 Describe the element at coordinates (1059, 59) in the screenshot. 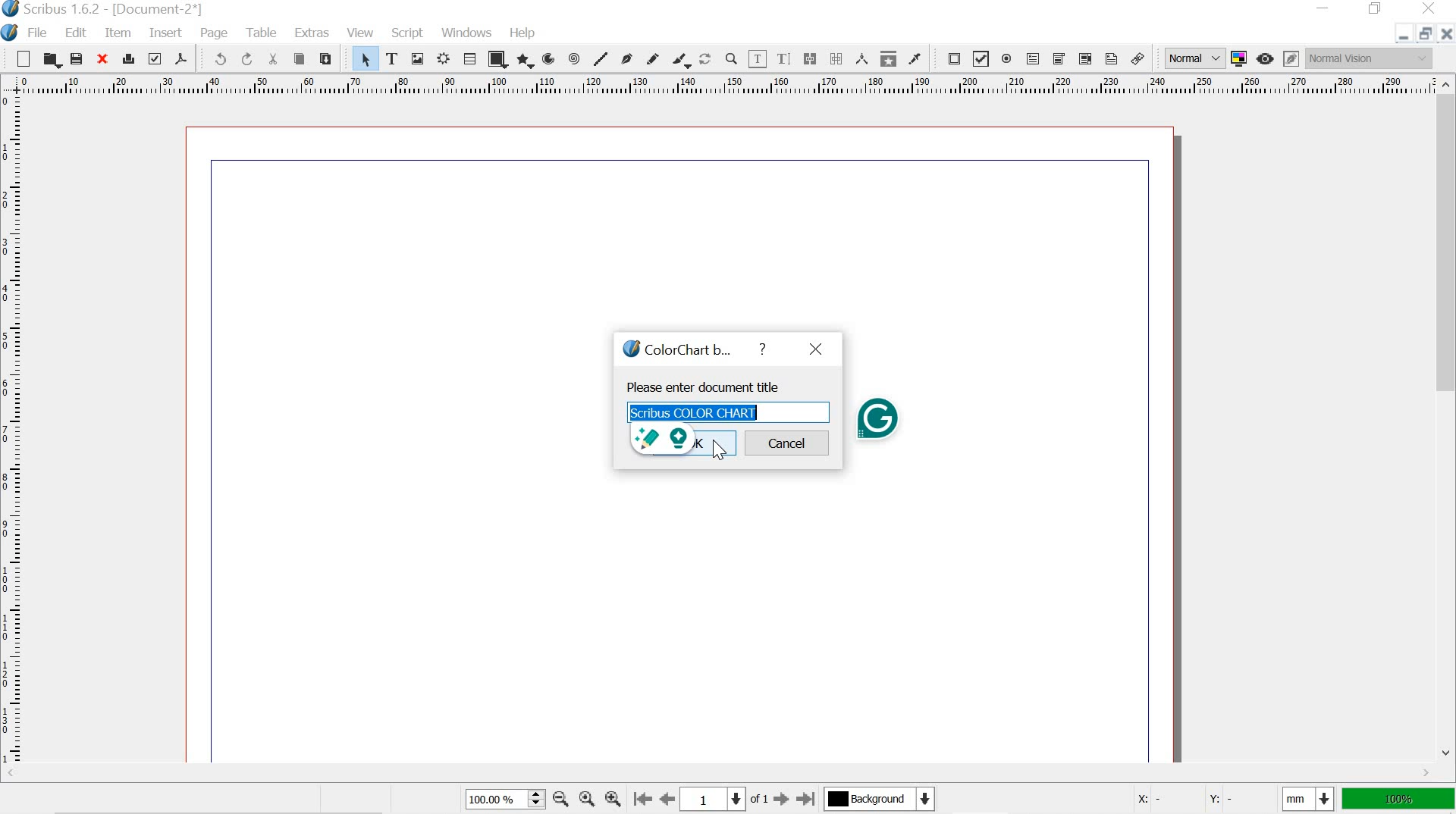

I see `pdf combo box` at that location.